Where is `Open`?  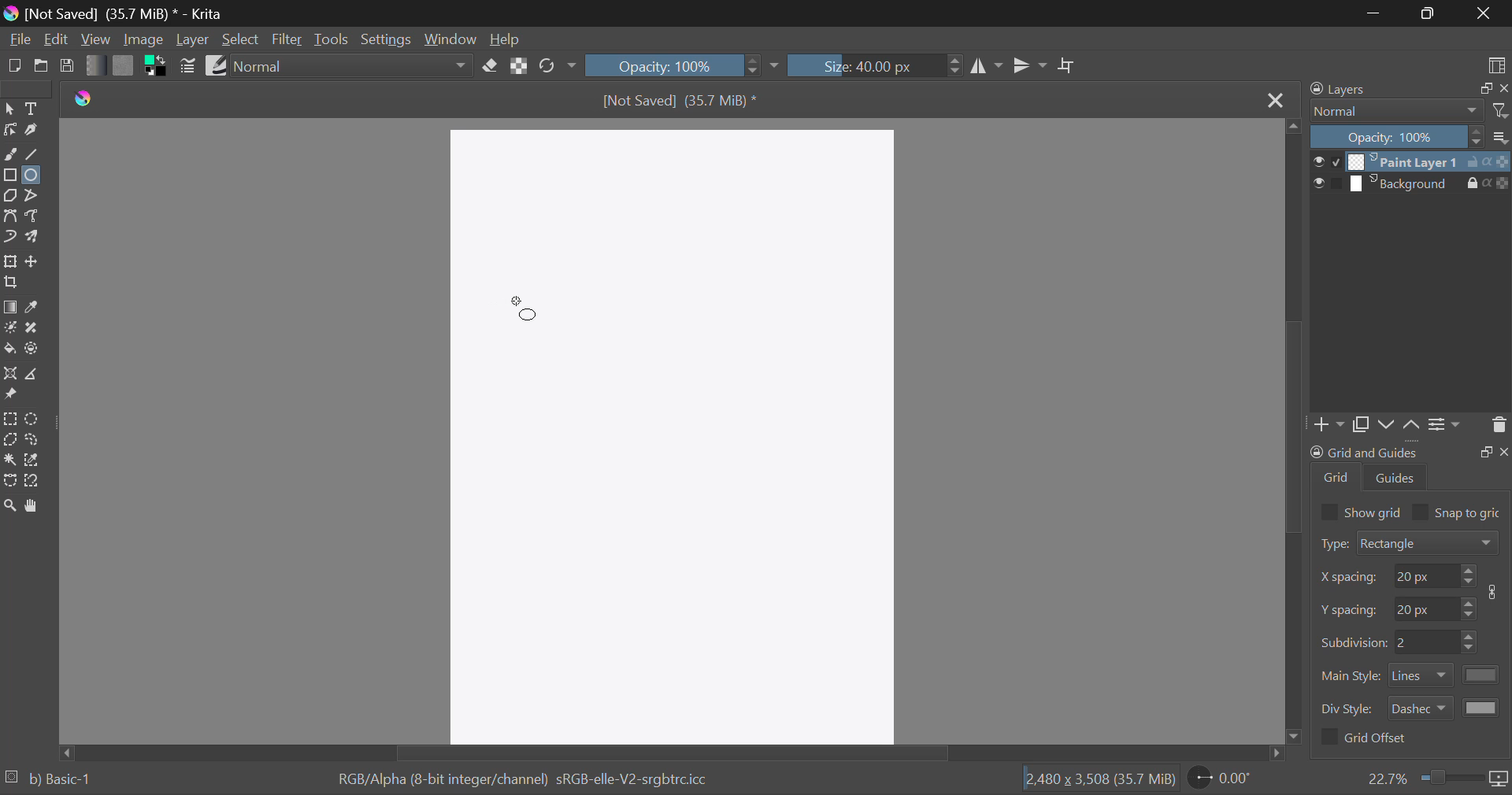
Open is located at coordinates (43, 65).